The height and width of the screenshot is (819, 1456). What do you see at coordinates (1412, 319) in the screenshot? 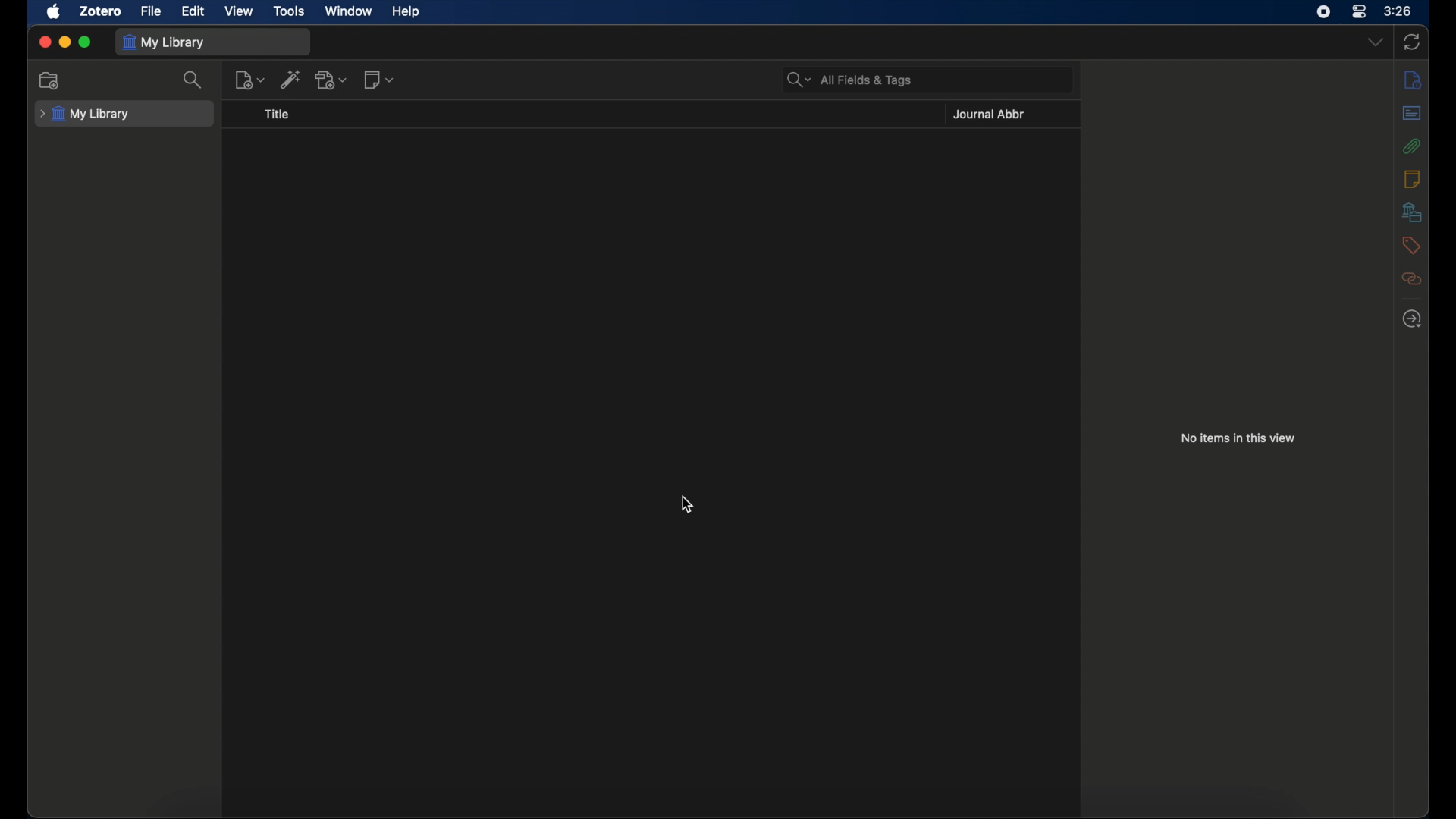
I see `locate` at bounding box center [1412, 319].